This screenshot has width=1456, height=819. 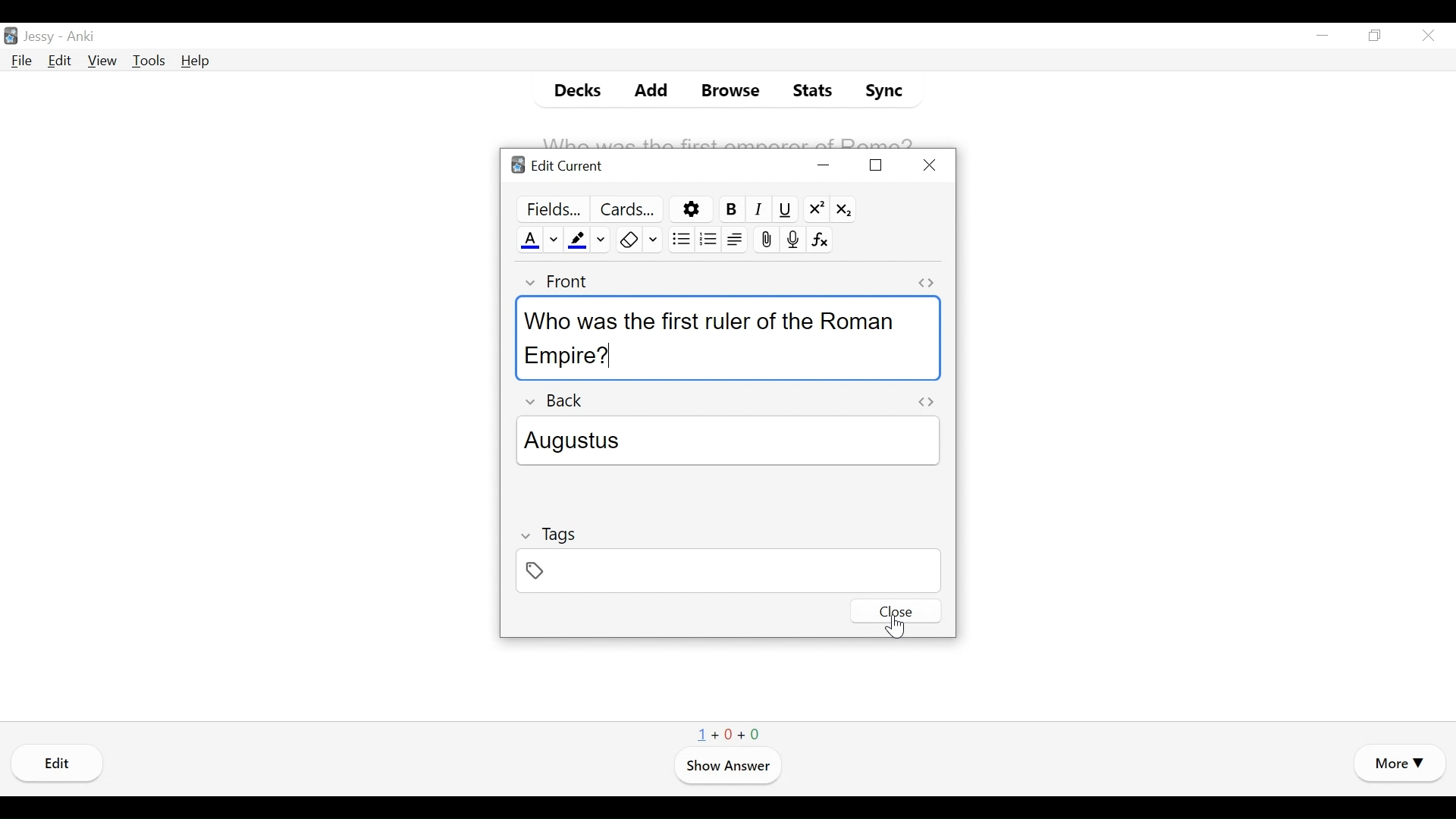 I want to click on Restore, so click(x=874, y=165).